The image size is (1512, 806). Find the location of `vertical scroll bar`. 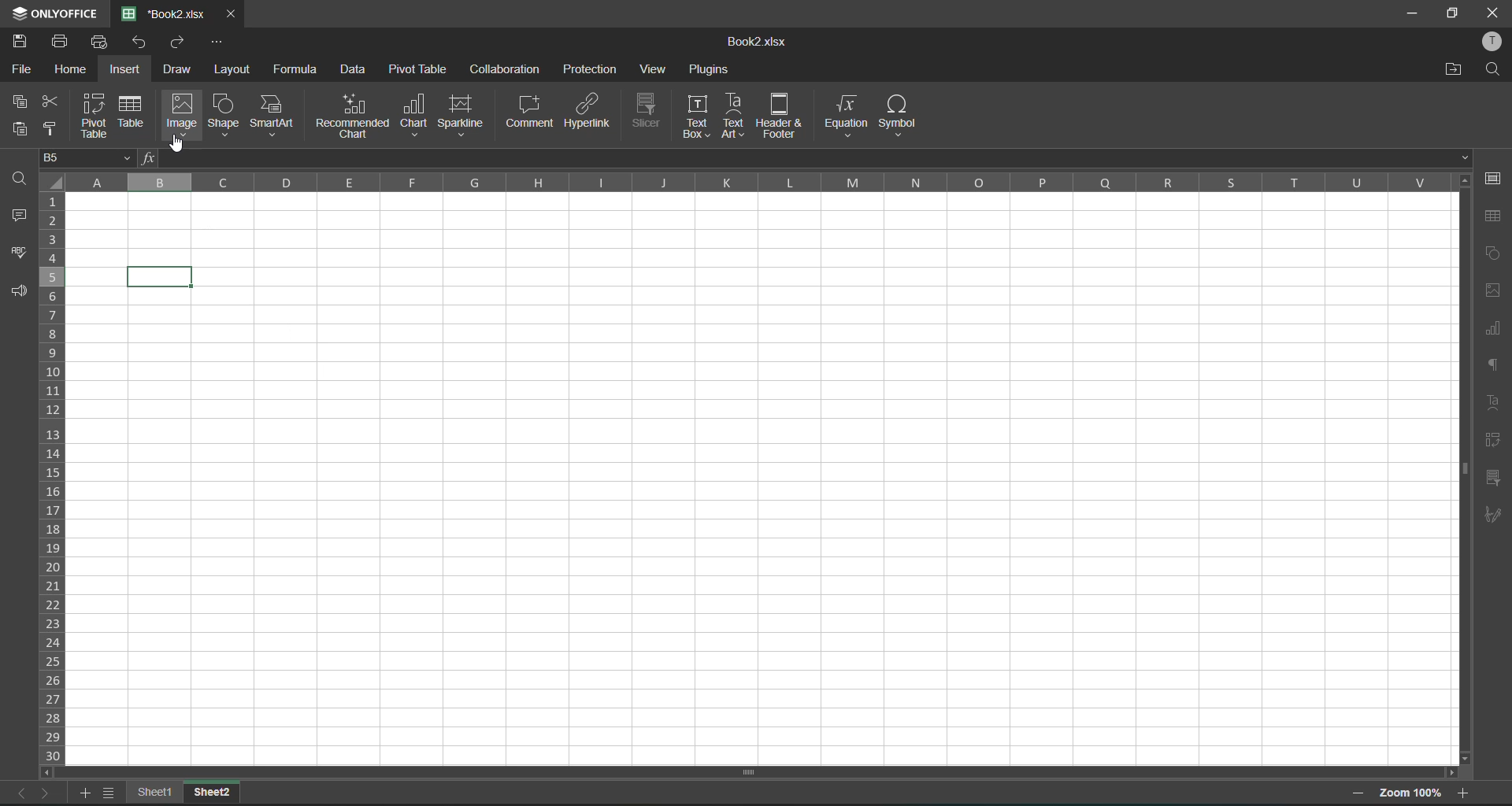

vertical scroll bar is located at coordinates (1462, 371).